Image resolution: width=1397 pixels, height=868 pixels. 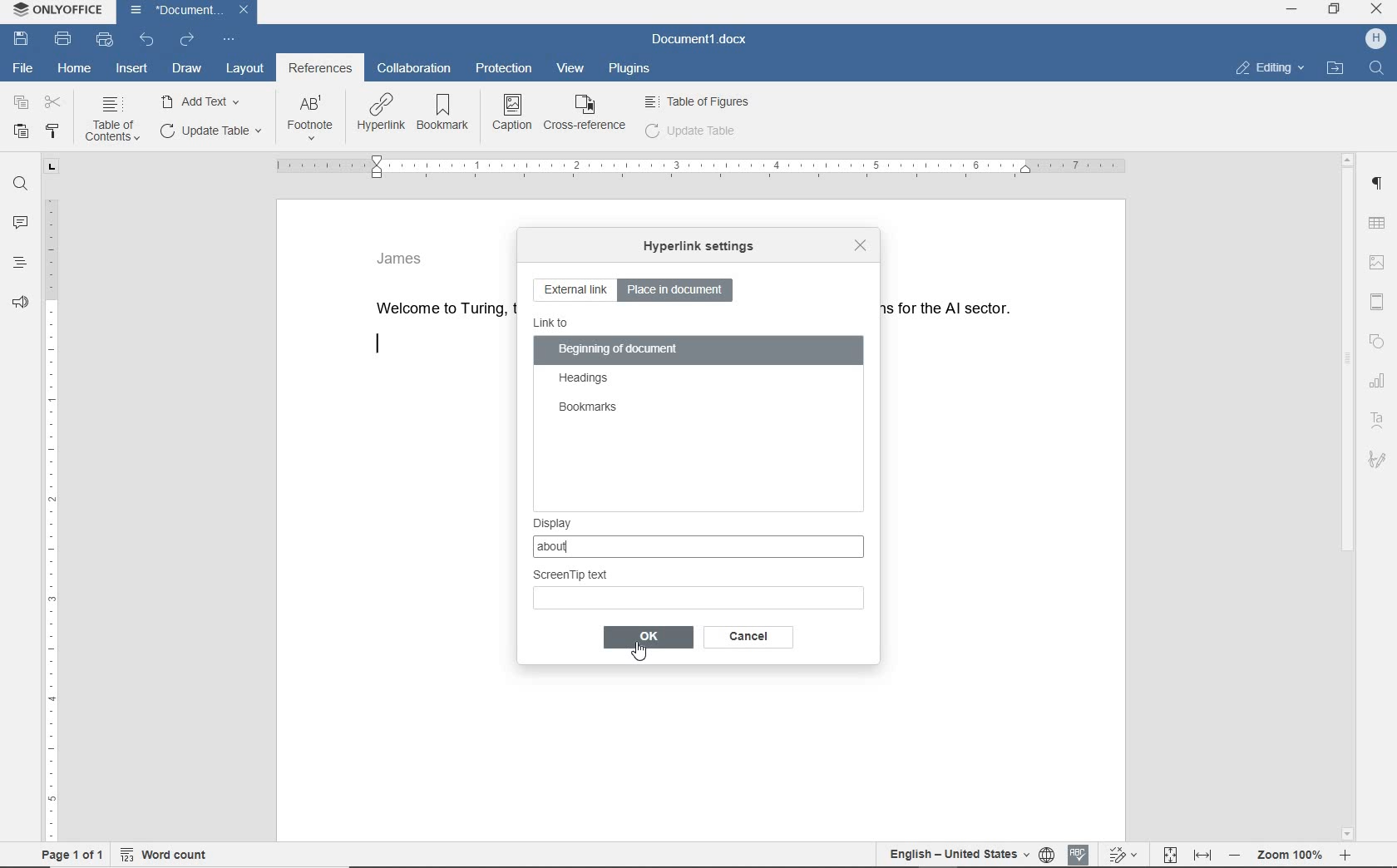 What do you see at coordinates (22, 185) in the screenshot?
I see `find` at bounding box center [22, 185].